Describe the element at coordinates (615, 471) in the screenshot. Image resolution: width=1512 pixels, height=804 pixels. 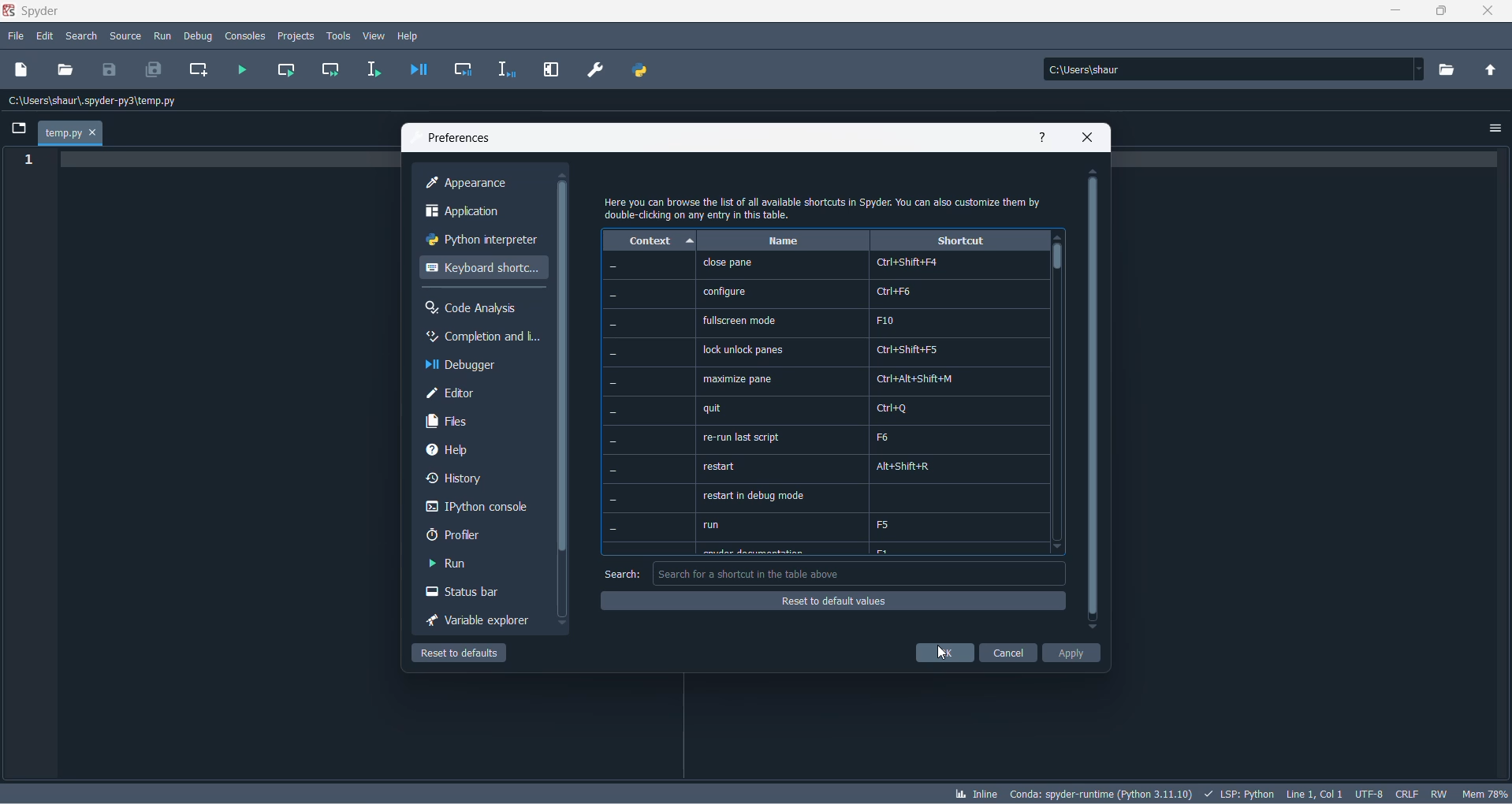
I see `-` at that location.